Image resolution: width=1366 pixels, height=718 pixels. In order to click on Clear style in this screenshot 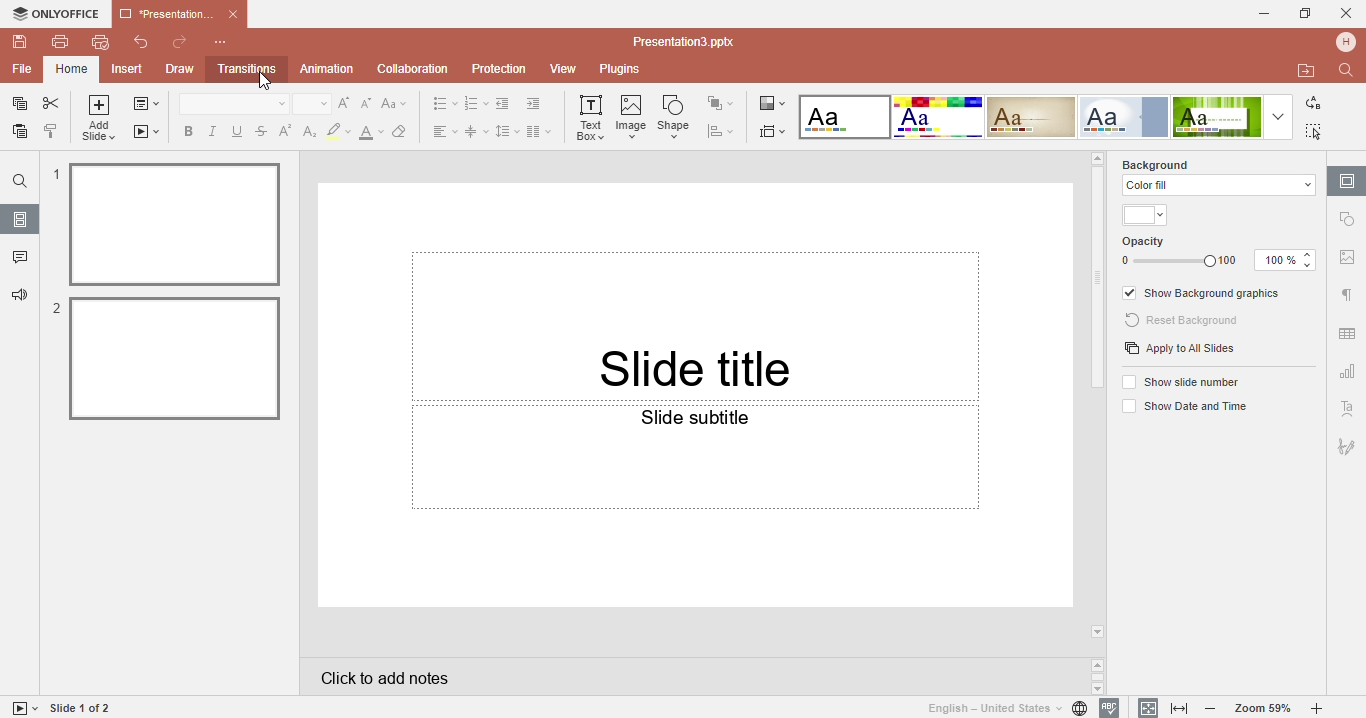, I will do `click(403, 130)`.